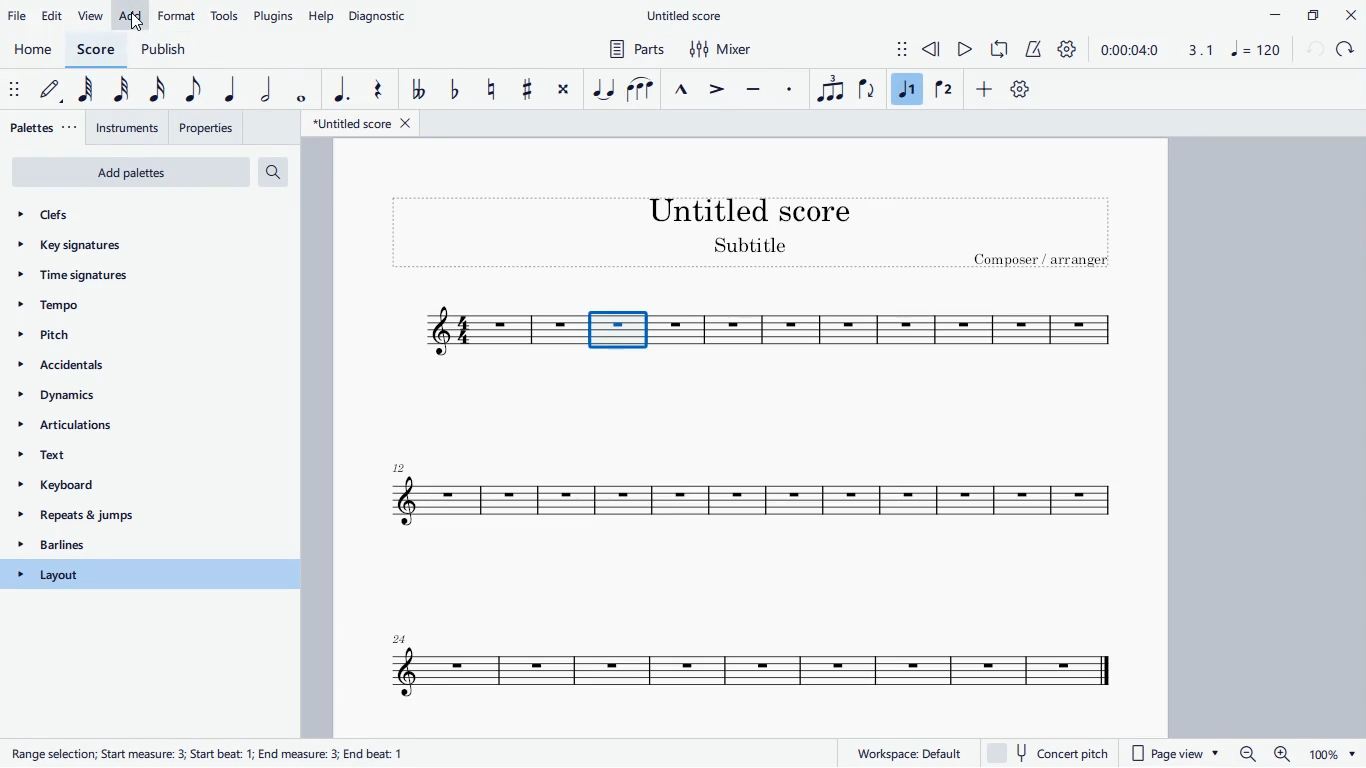 Image resolution: width=1366 pixels, height=768 pixels. Describe the element at coordinates (226, 14) in the screenshot. I see `tools` at that location.